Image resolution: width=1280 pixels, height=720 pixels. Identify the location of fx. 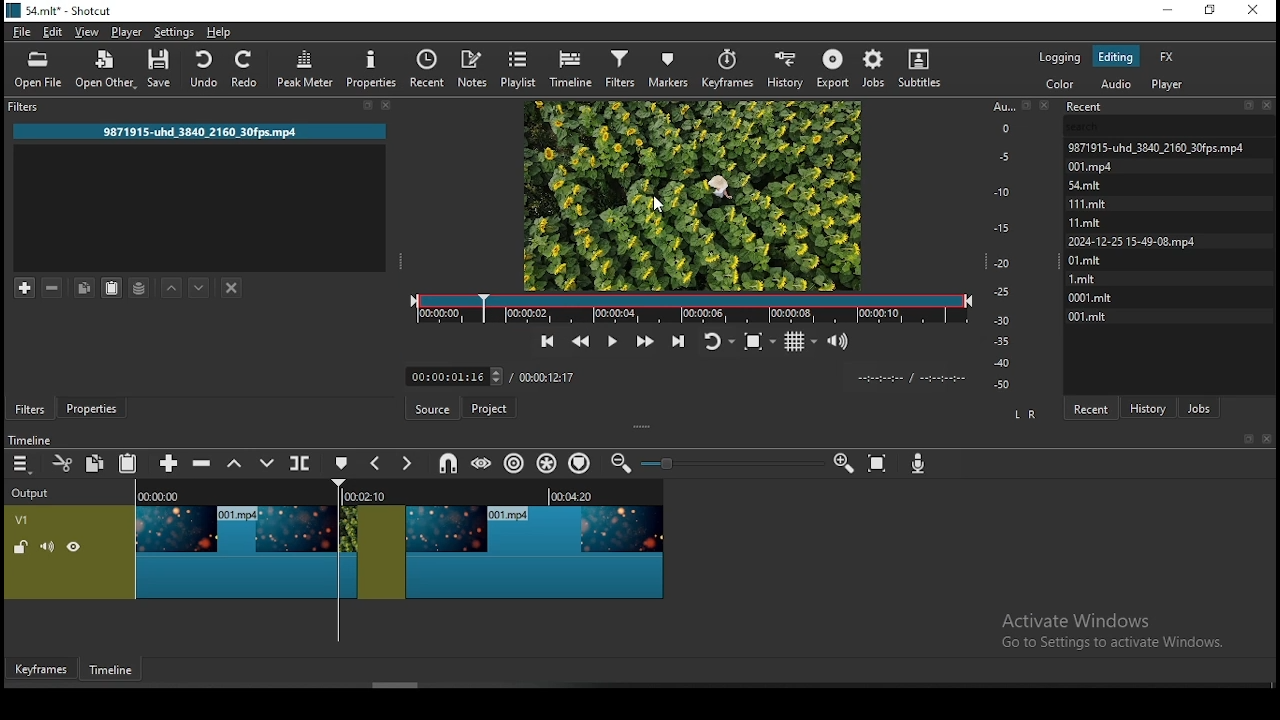
(1166, 59).